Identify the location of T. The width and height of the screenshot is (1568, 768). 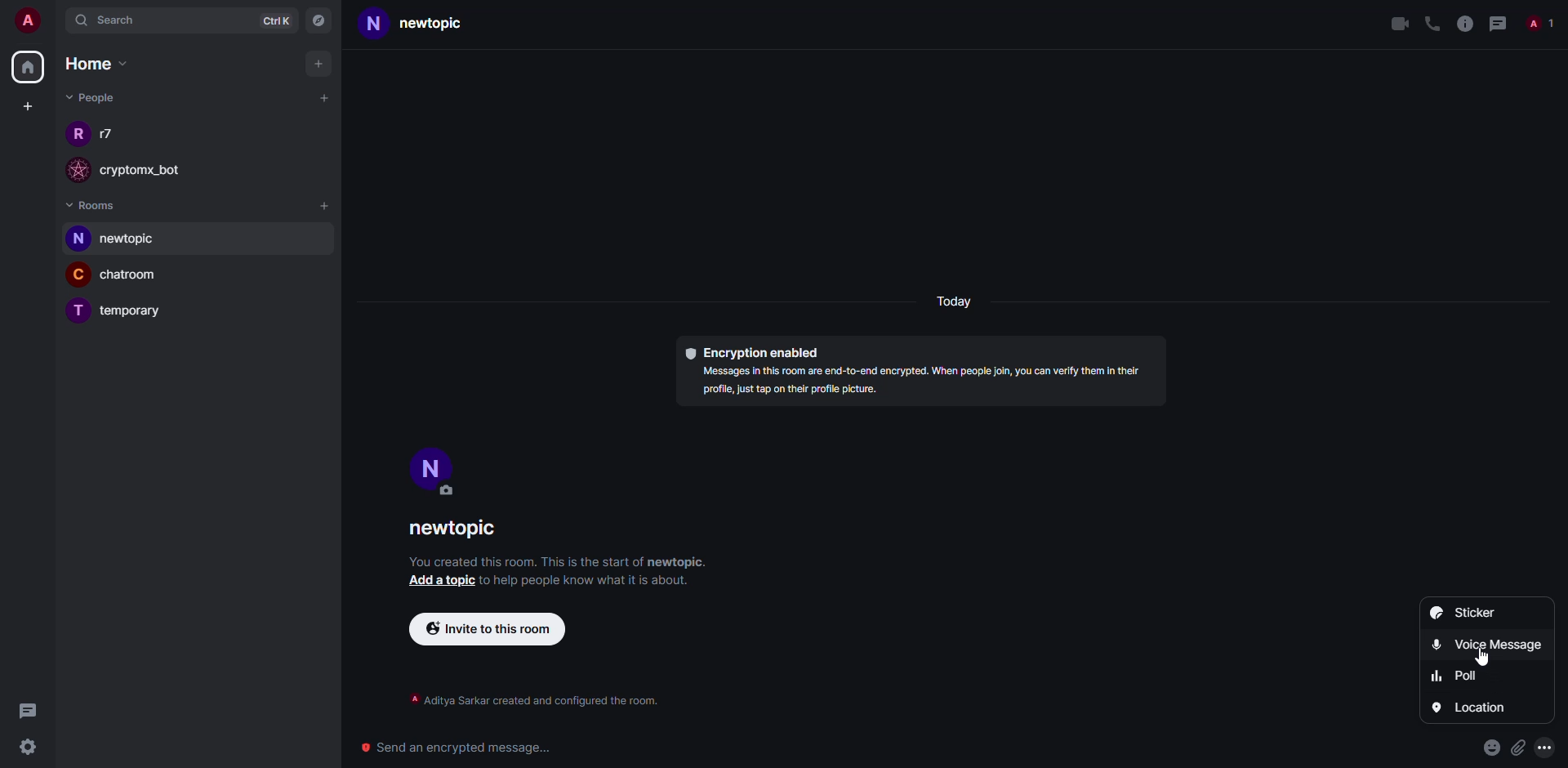
(76, 310).